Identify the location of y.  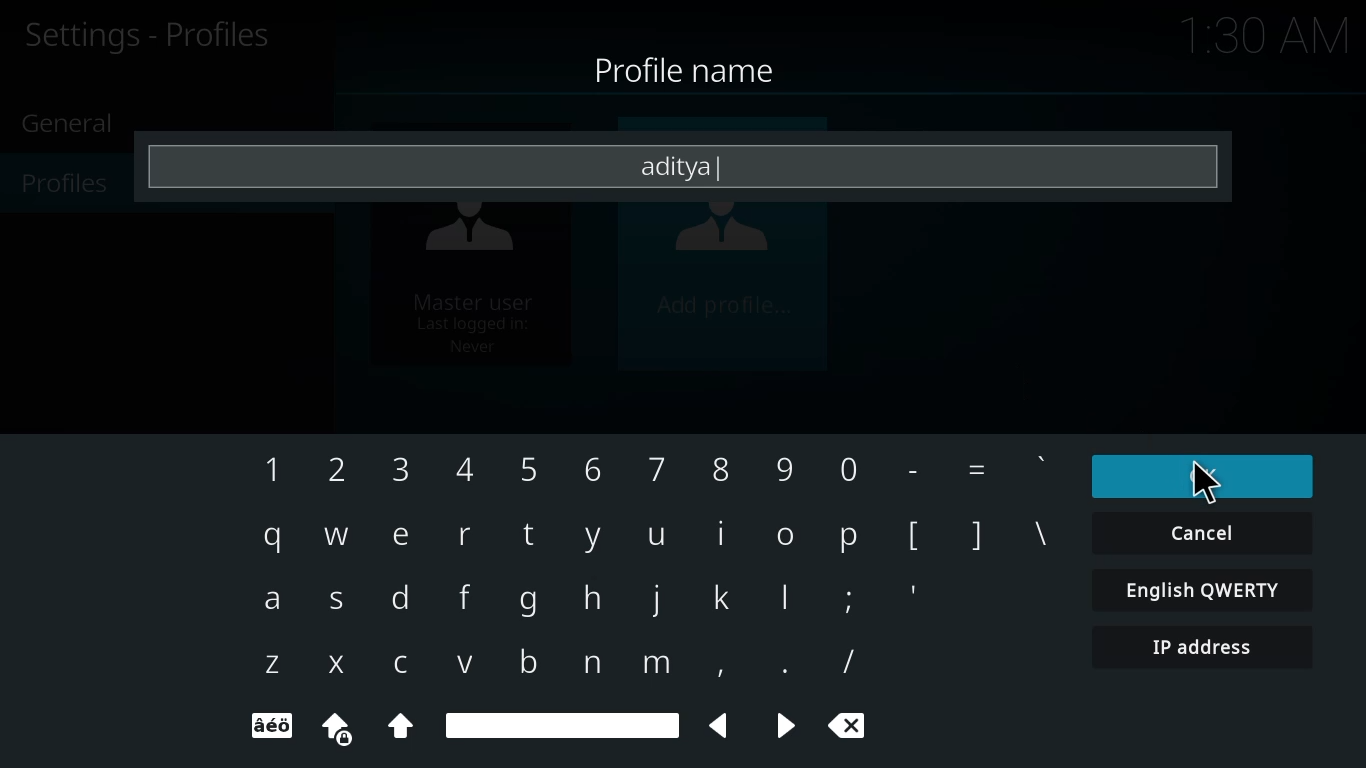
(586, 542).